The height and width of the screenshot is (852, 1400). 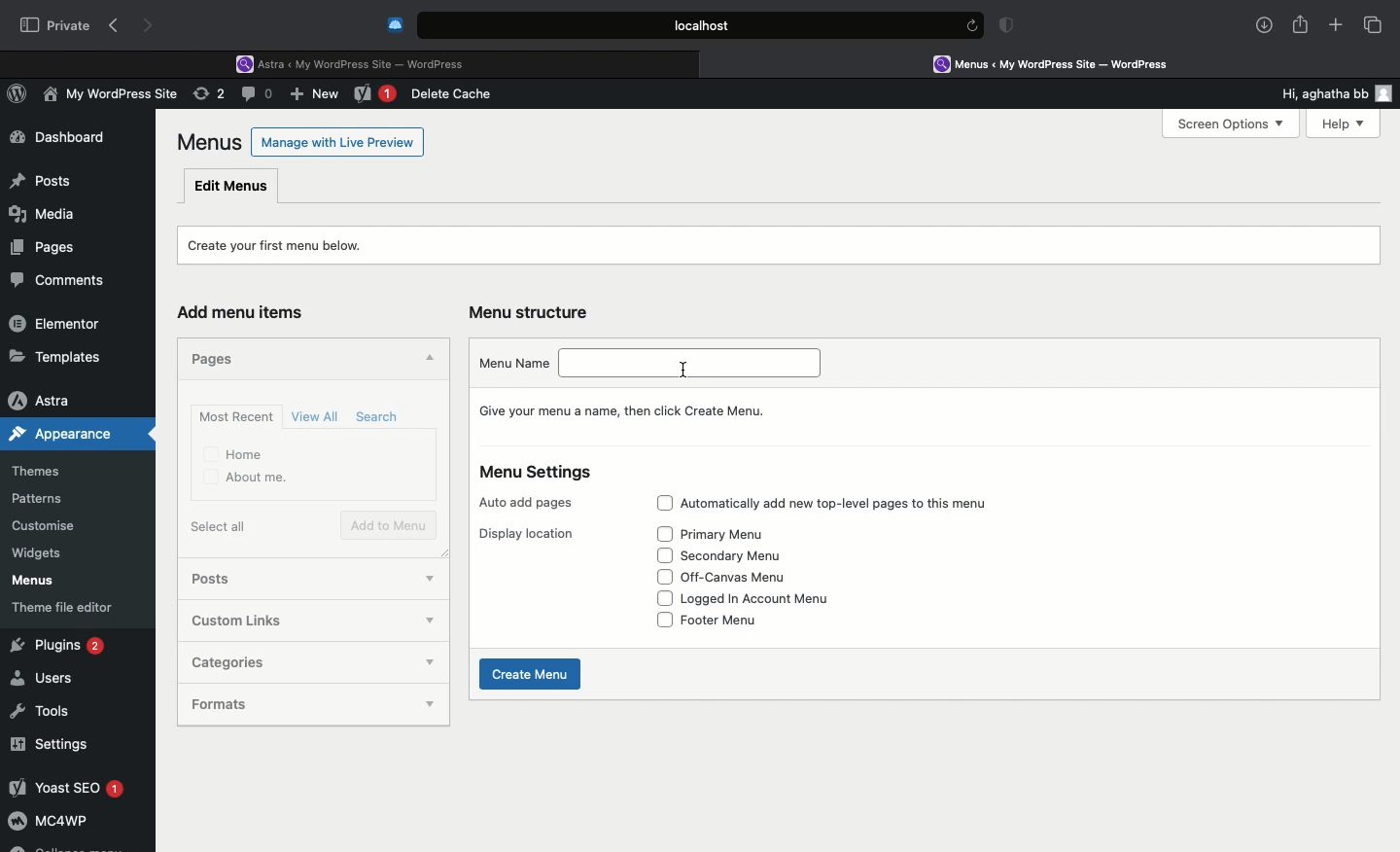 What do you see at coordinates (55, 24) in the screenshot?
I see `Private` at bounding box center [55, 24].